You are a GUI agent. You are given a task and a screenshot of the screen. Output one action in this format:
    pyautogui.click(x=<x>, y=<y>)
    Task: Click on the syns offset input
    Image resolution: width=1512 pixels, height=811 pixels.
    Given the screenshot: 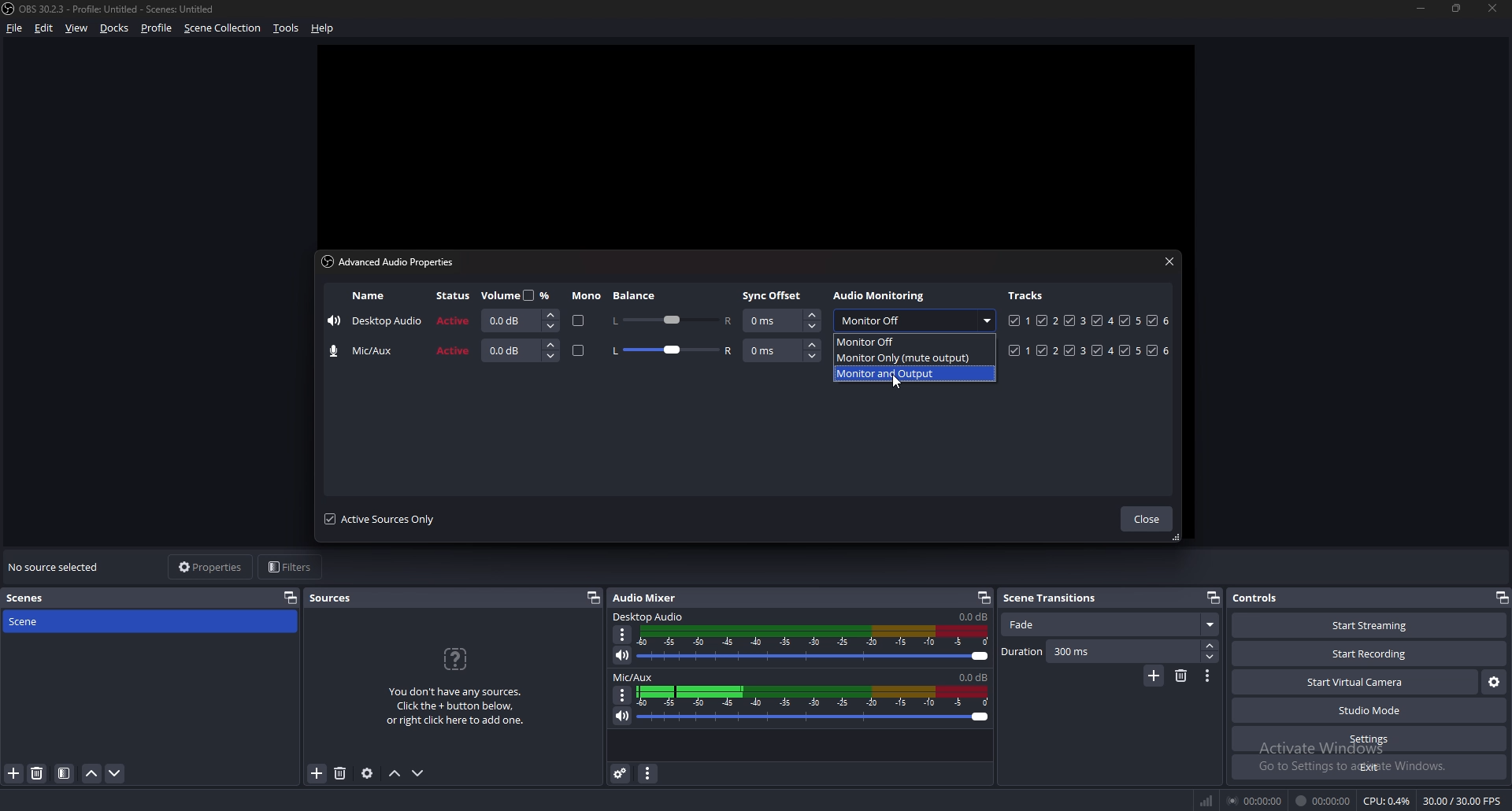 What is the action you would take?
    pyautogui.click(x=783, y=350)
    